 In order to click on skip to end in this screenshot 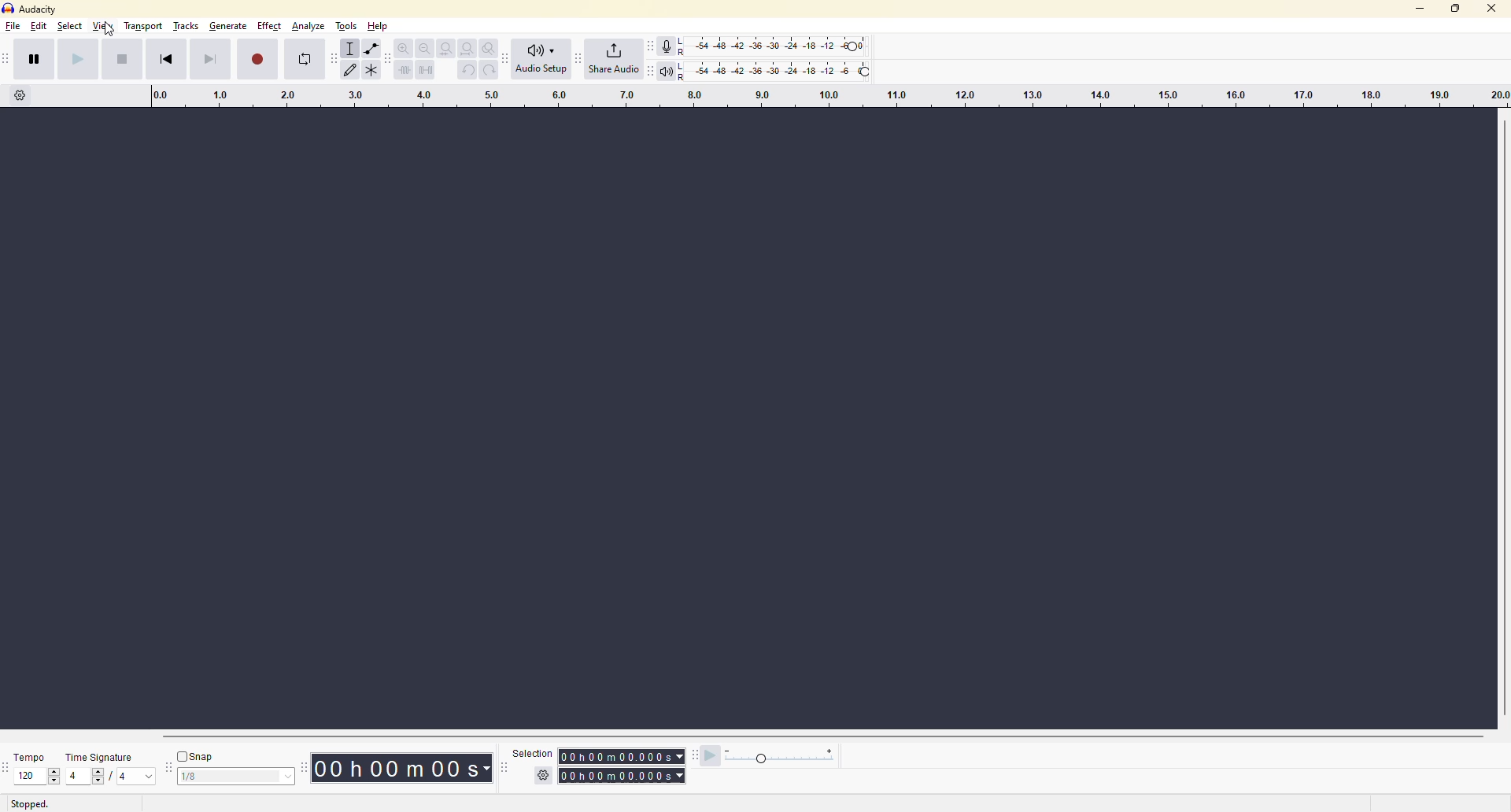, I will do `click(201, 58)`.